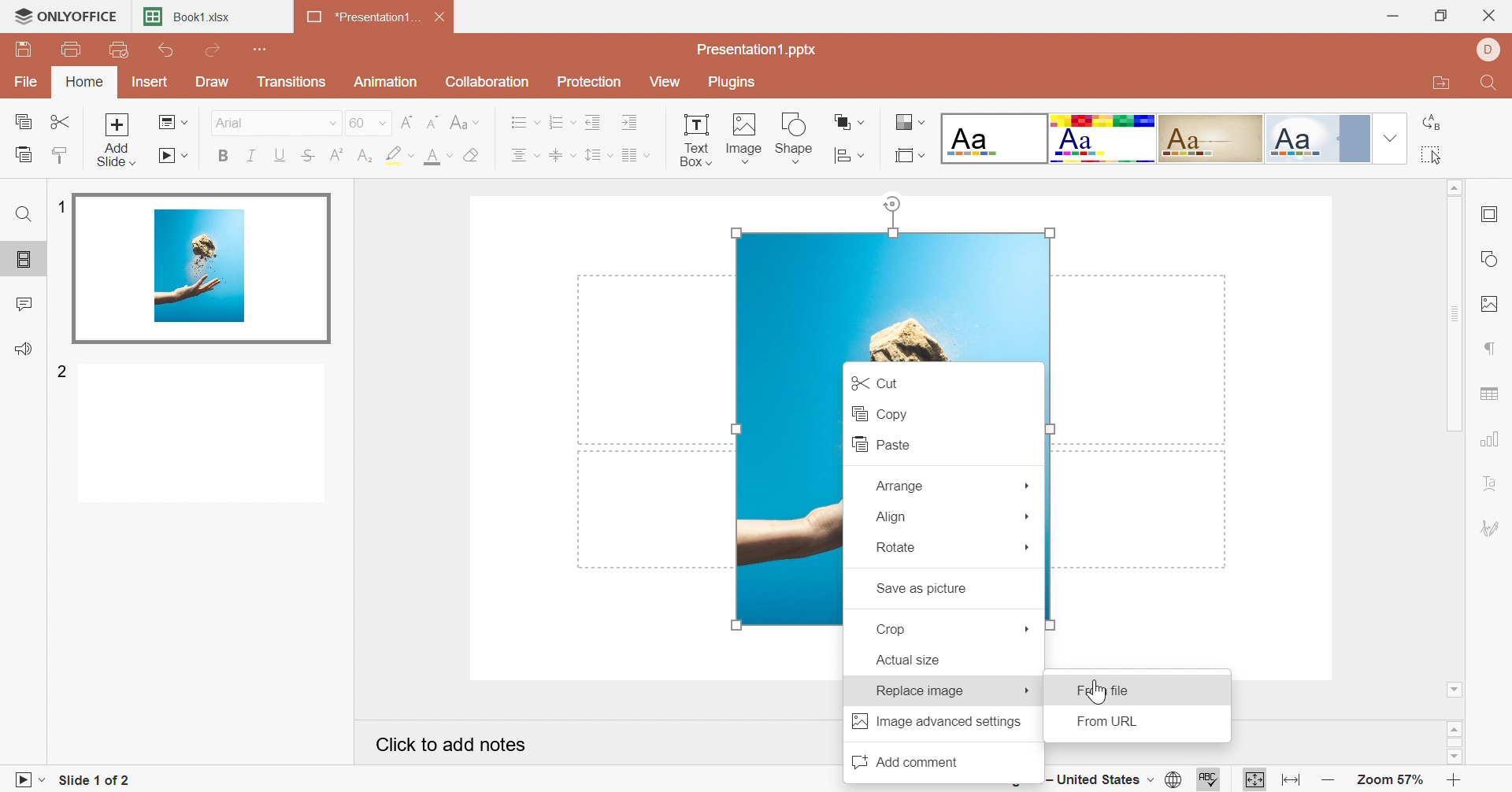 Image resolution: width=1512 pixels, height=792 pixels. Describe the element at coordinates (1029, 515) in the screenshot. I see `Drop Down` at that location.